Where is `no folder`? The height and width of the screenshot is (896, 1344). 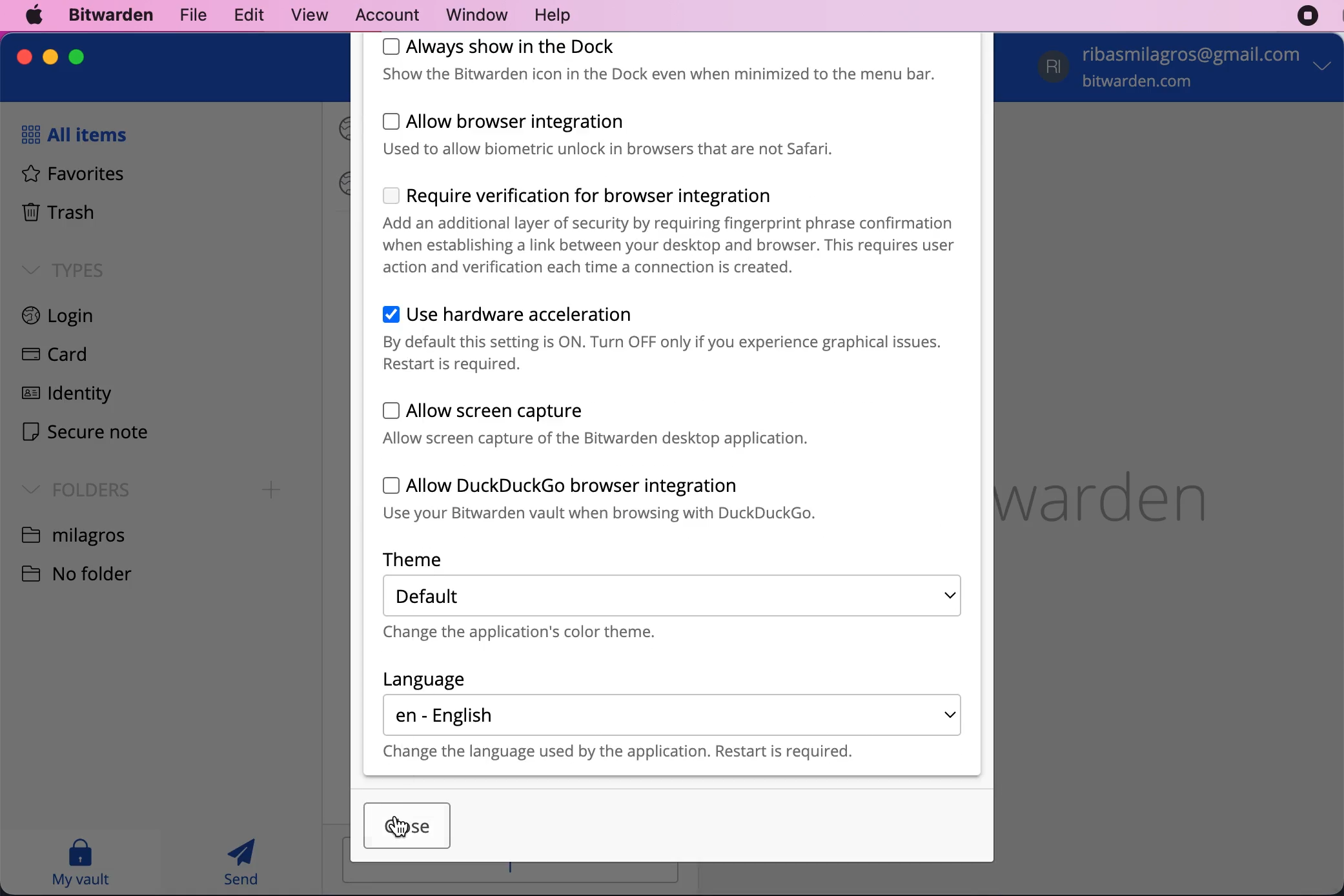
no folder is located at coordinates (87, 572).